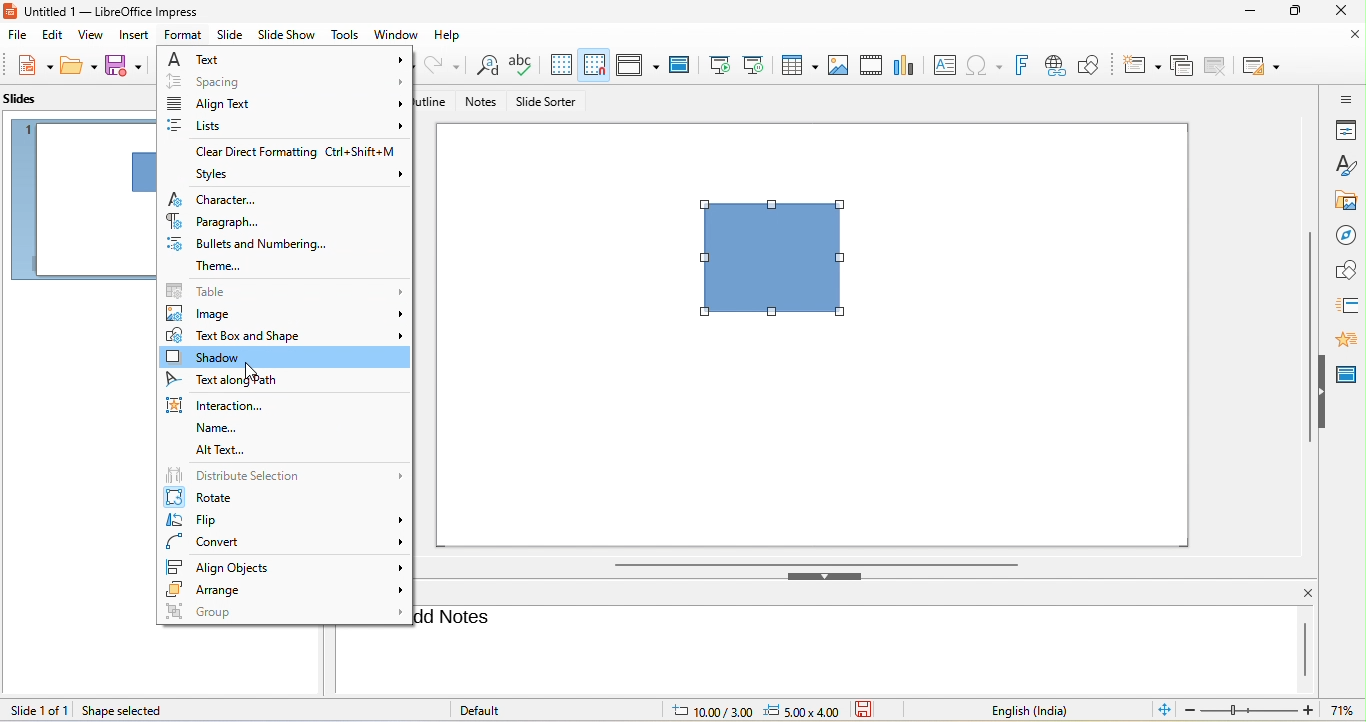  Describe the element at coordinates (223, 221) in the screenshot. I see `paragraph` at that location.